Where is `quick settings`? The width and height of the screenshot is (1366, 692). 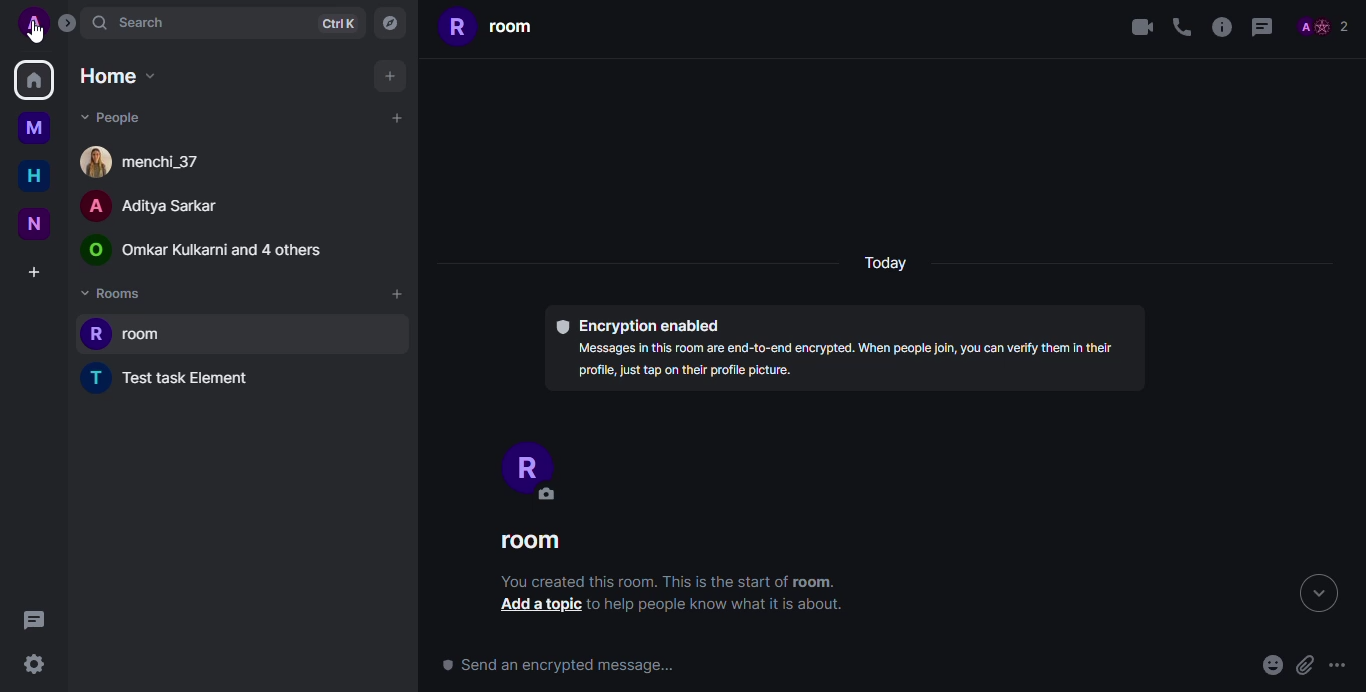 quick settings is located at coordinates (33, 664).